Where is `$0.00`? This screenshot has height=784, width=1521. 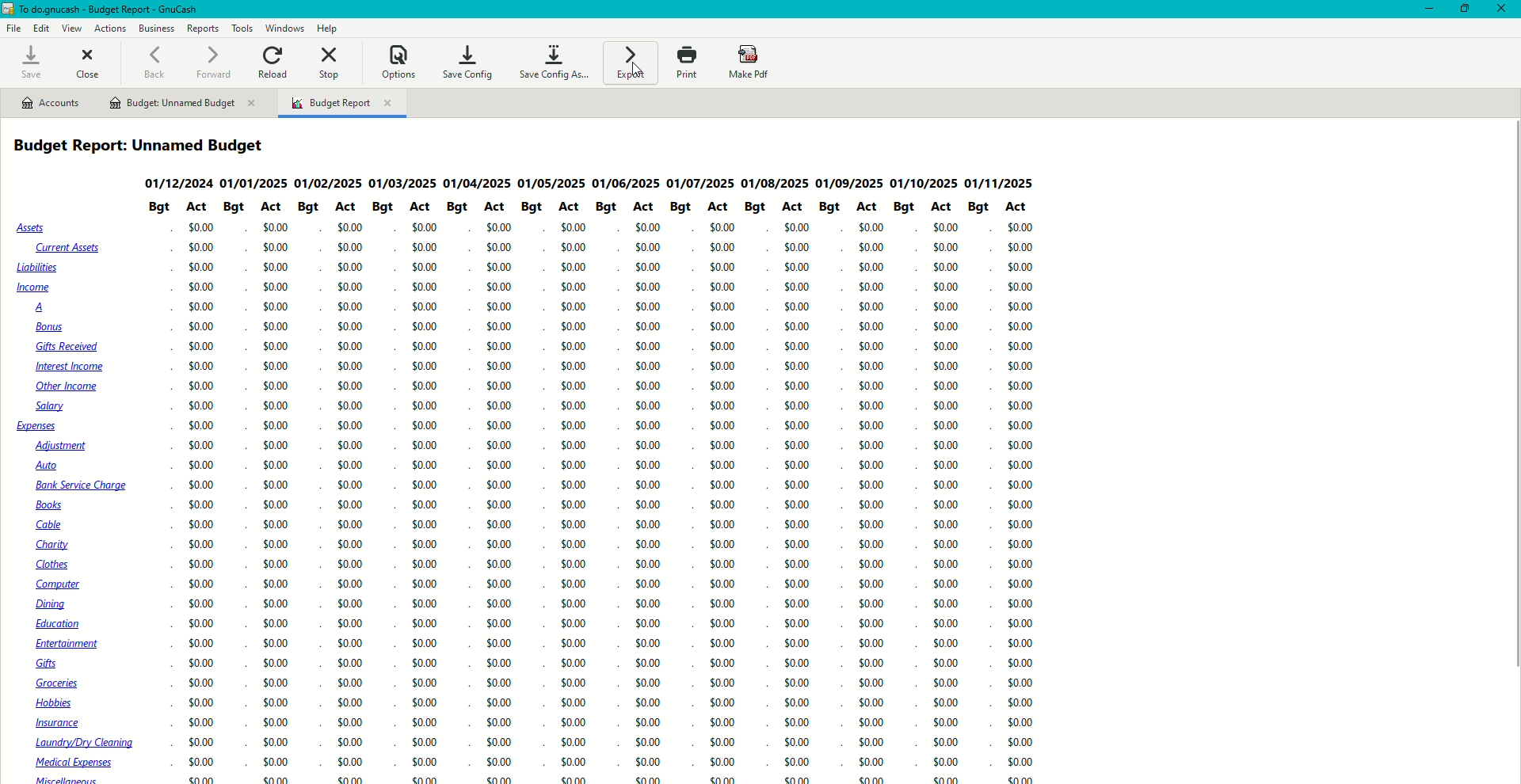
$0.00 is located at coordinates (351, 603).